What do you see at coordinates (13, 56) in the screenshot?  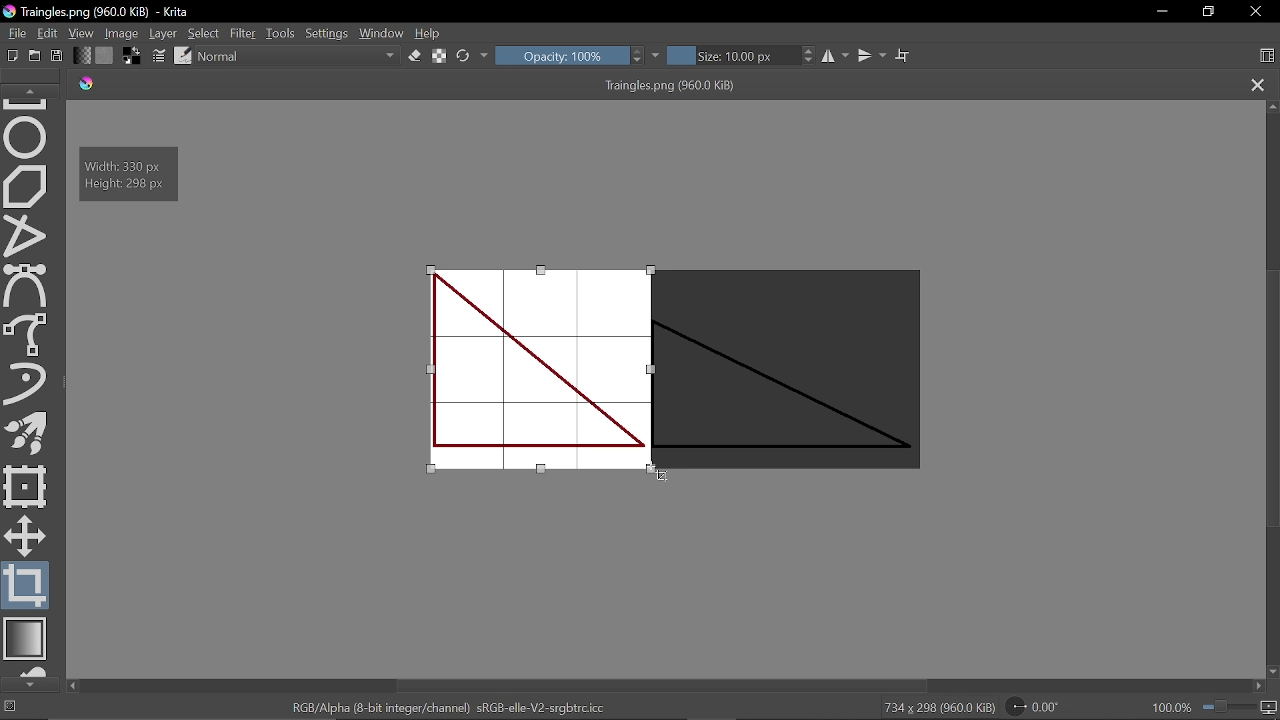 I see `Create new document` at bounding box center [13, 56].